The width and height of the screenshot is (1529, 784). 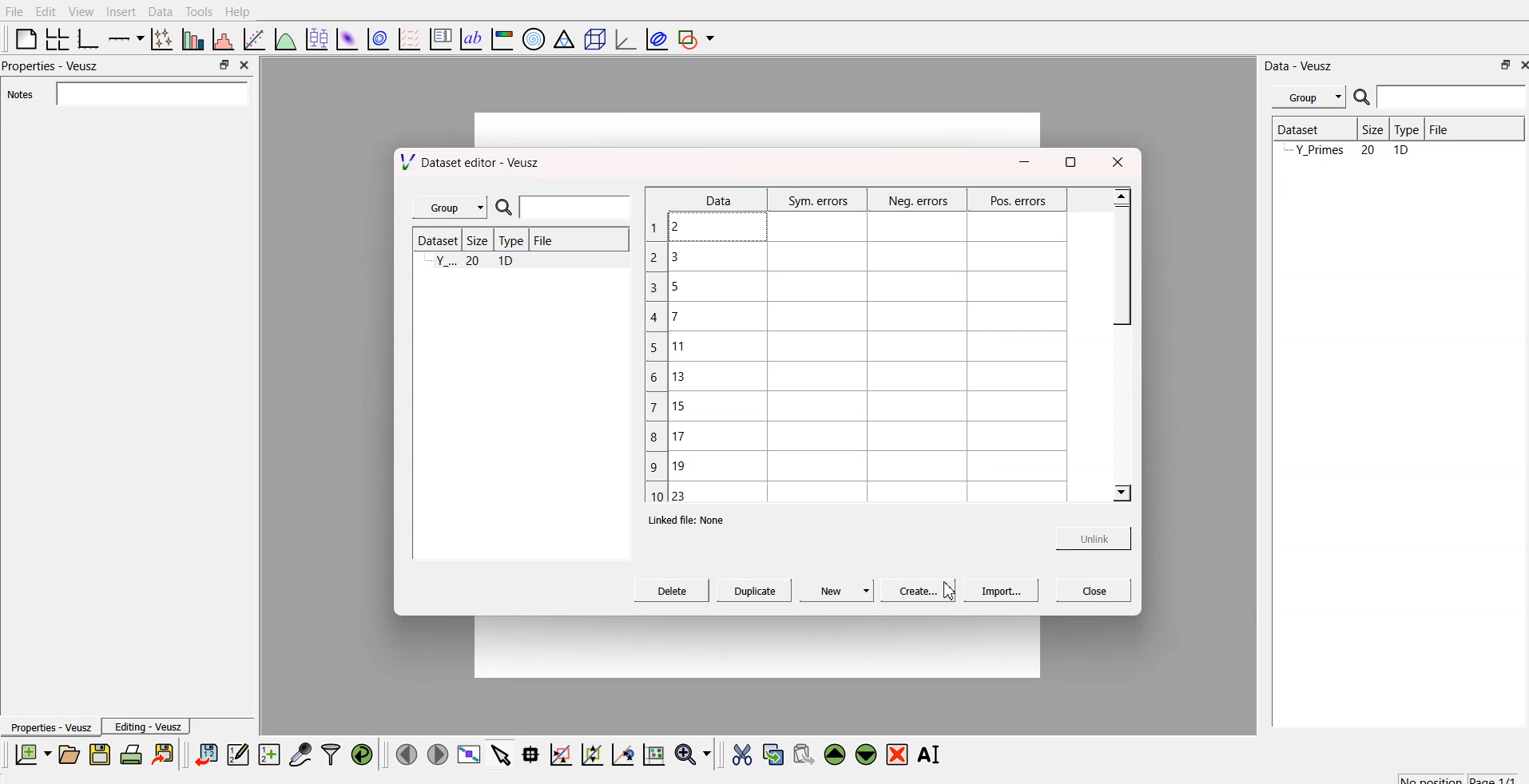 I want to click on view plot full screen, so click(x=470, y=754).